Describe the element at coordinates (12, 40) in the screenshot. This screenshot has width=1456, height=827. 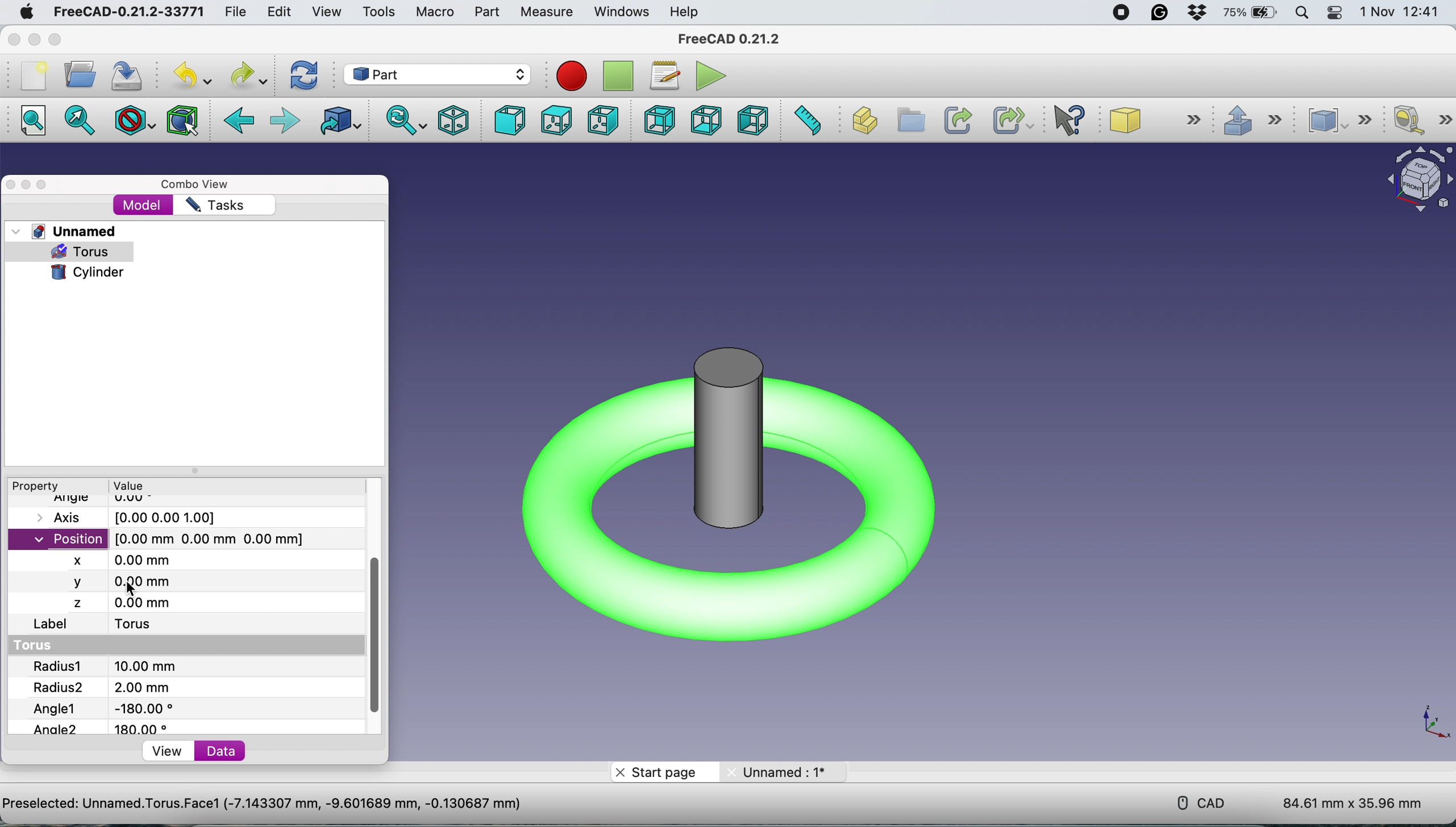
I see `close` at that location.